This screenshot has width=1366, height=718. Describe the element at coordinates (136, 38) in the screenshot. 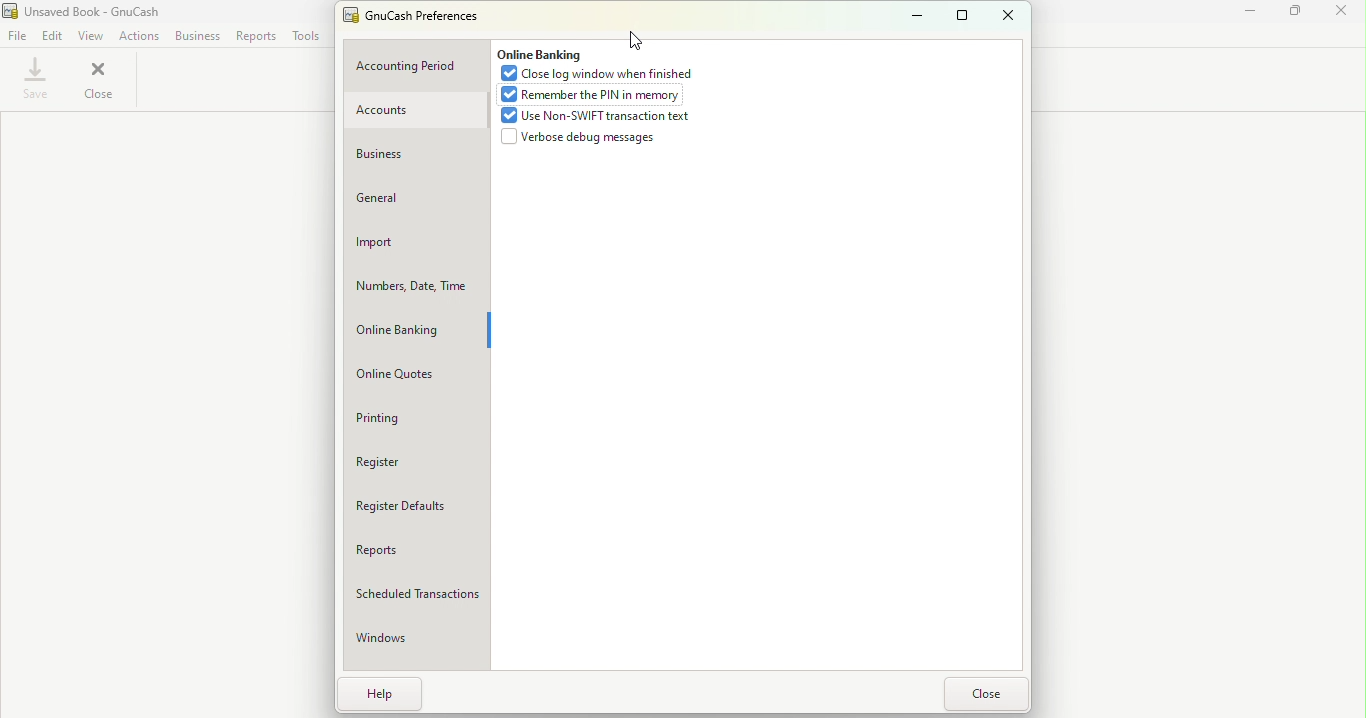

I see `Actions` at that location.